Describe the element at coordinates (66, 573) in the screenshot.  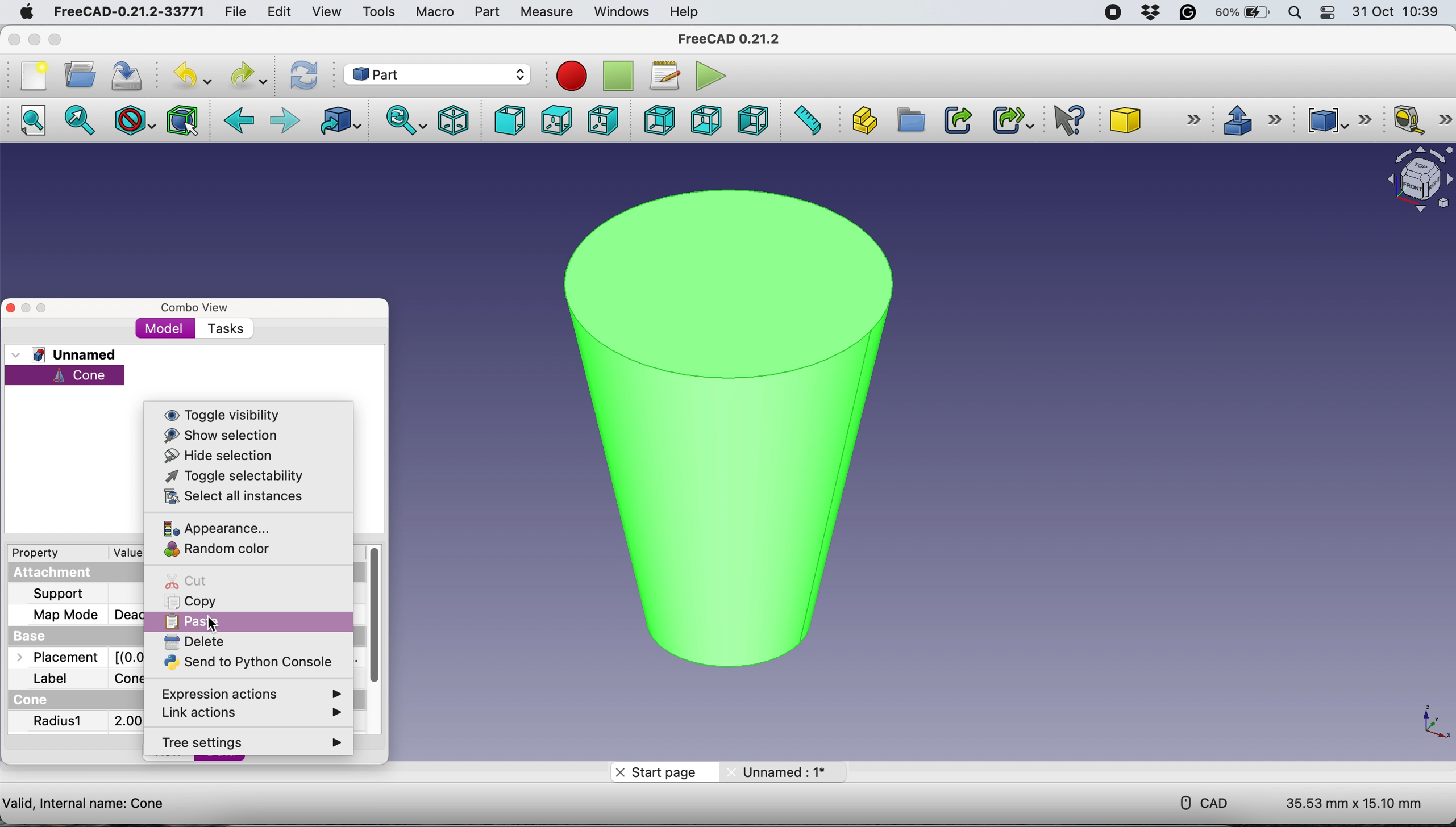
I see `attachment` at that location.